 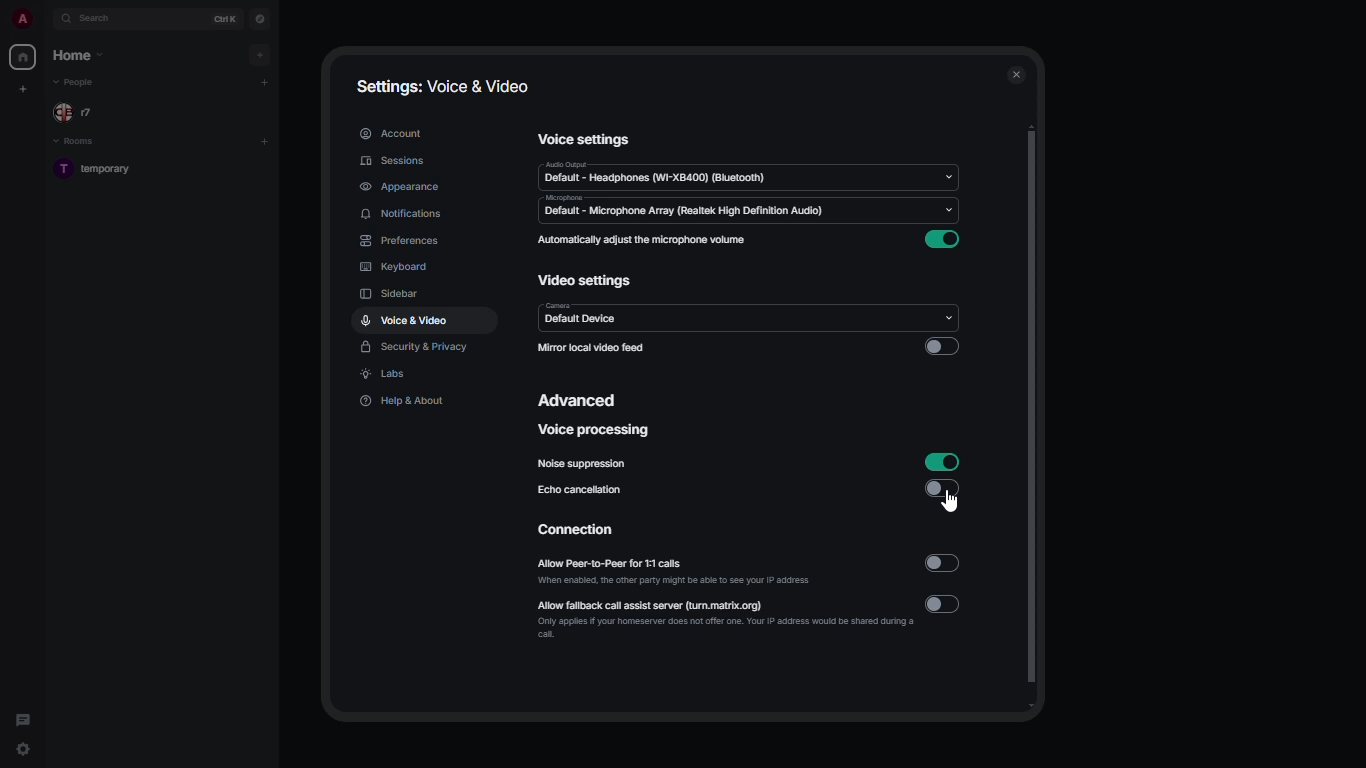 I want to click on automatically adjust the microphone volume, so click(x=643, y=240).